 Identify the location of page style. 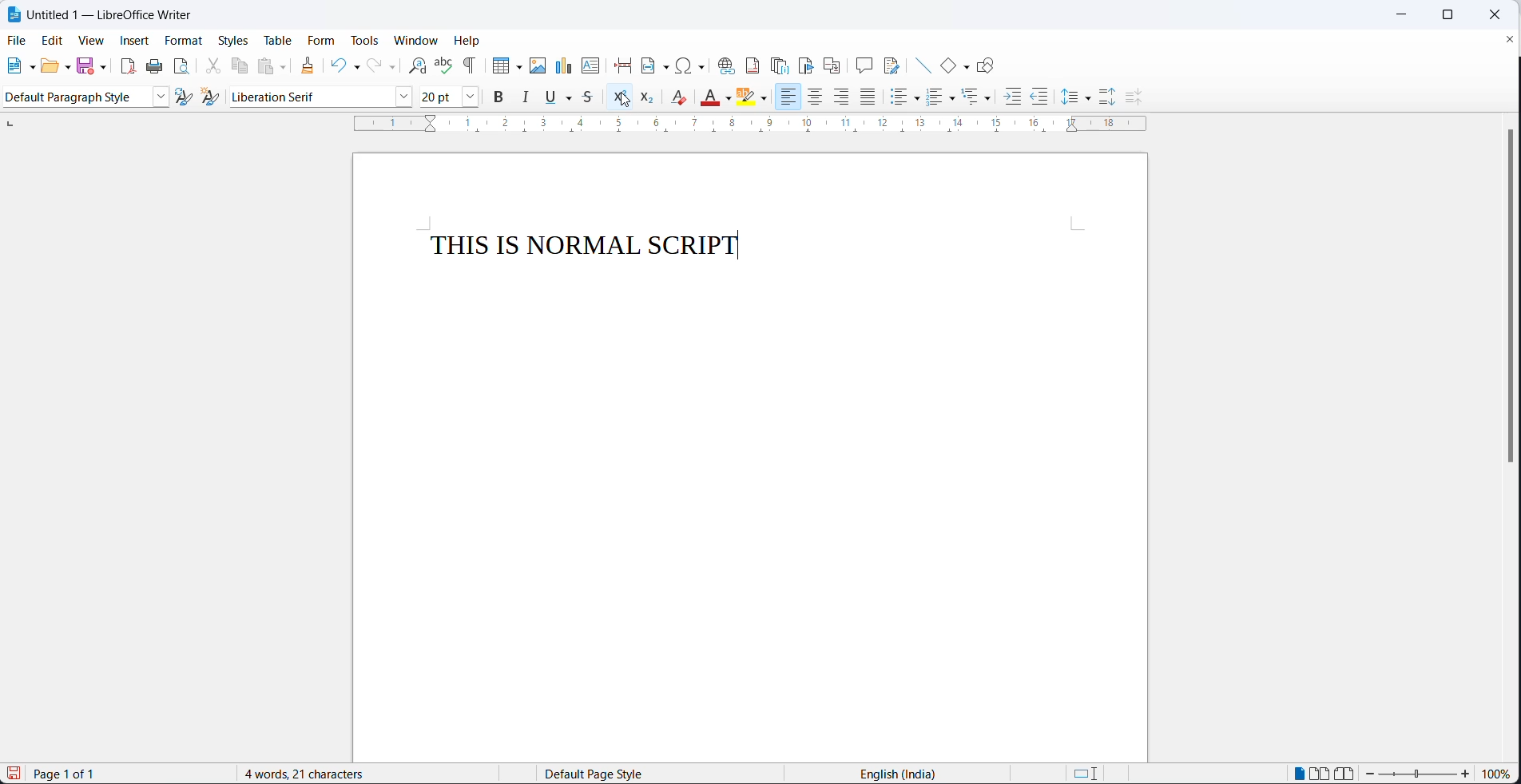
(653, 774).